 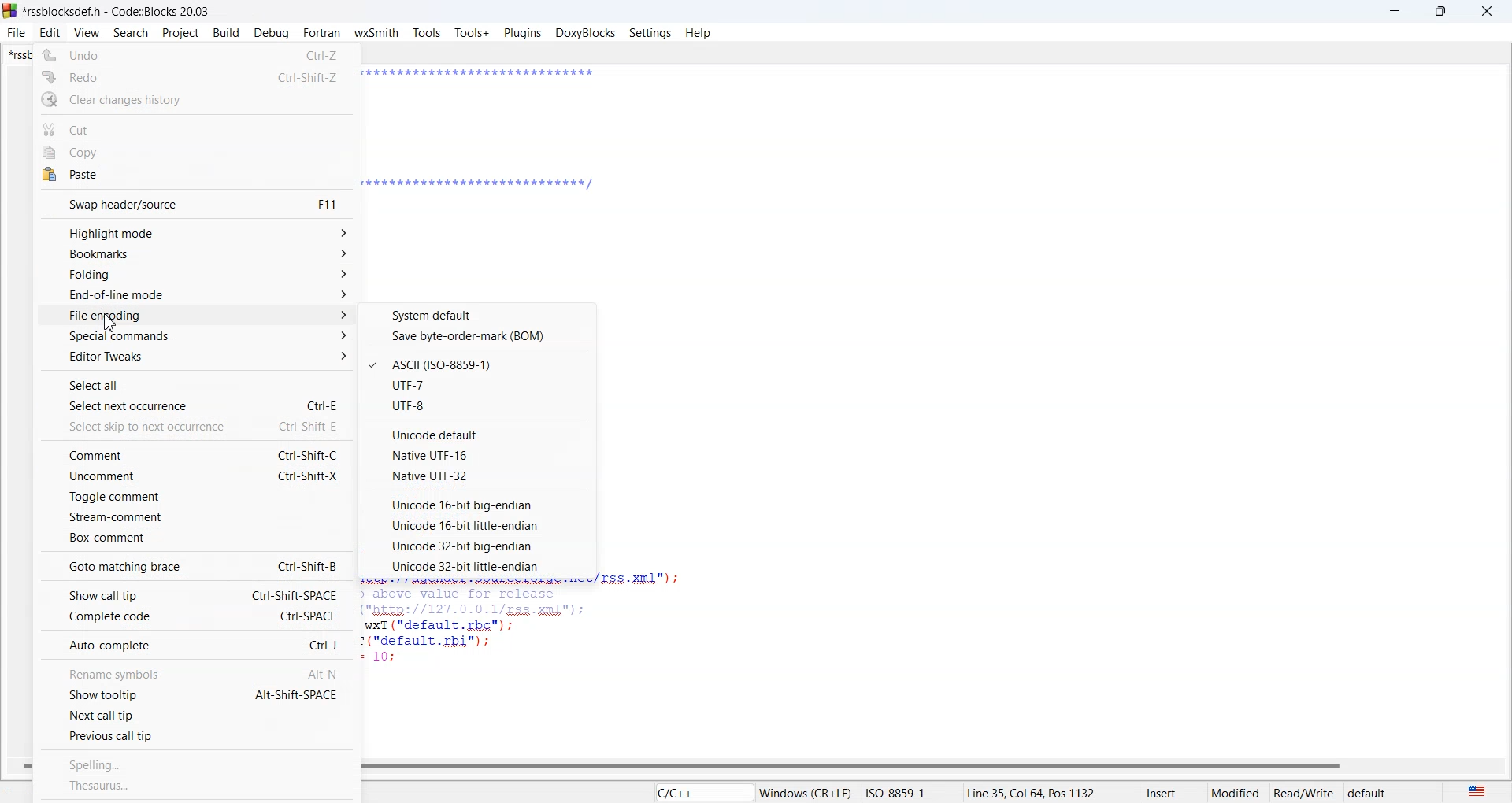 I want to click on insert, so click(x=1174, y=791).